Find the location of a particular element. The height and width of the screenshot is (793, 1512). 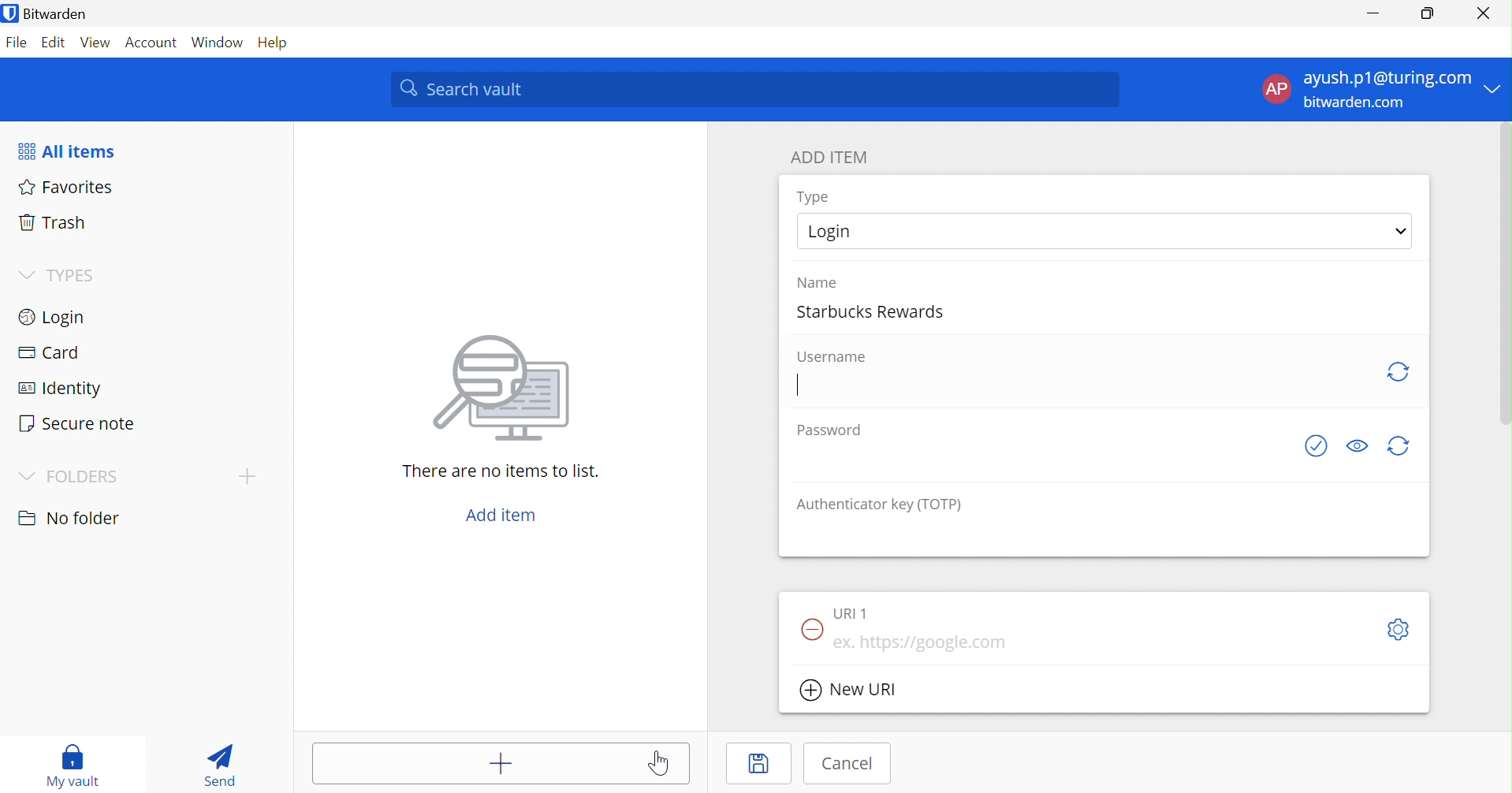

Edit is located at coordinates (55, 44).